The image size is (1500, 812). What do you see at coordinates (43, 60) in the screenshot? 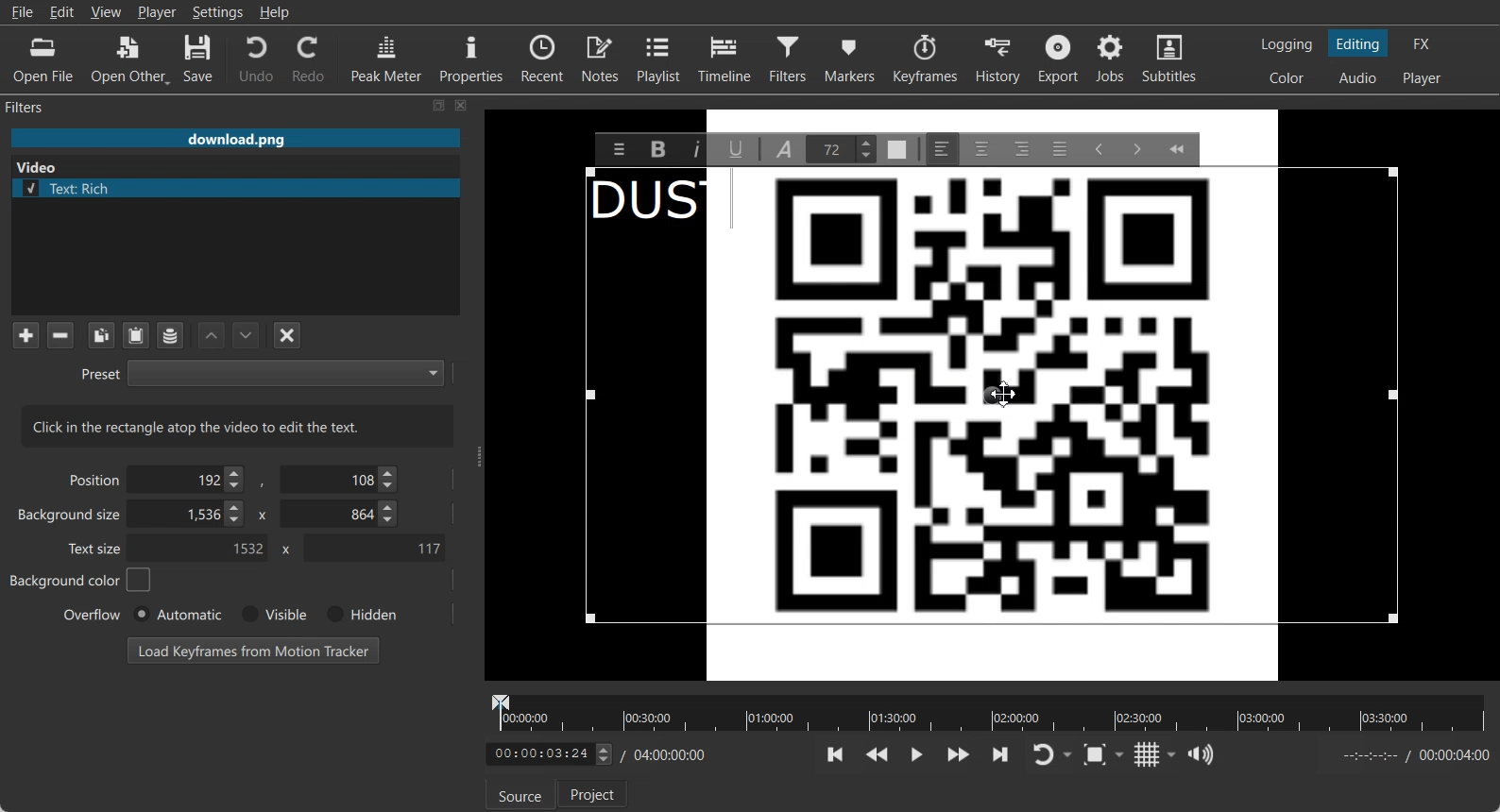
I see `Open File` at bounding box center [43, 60].